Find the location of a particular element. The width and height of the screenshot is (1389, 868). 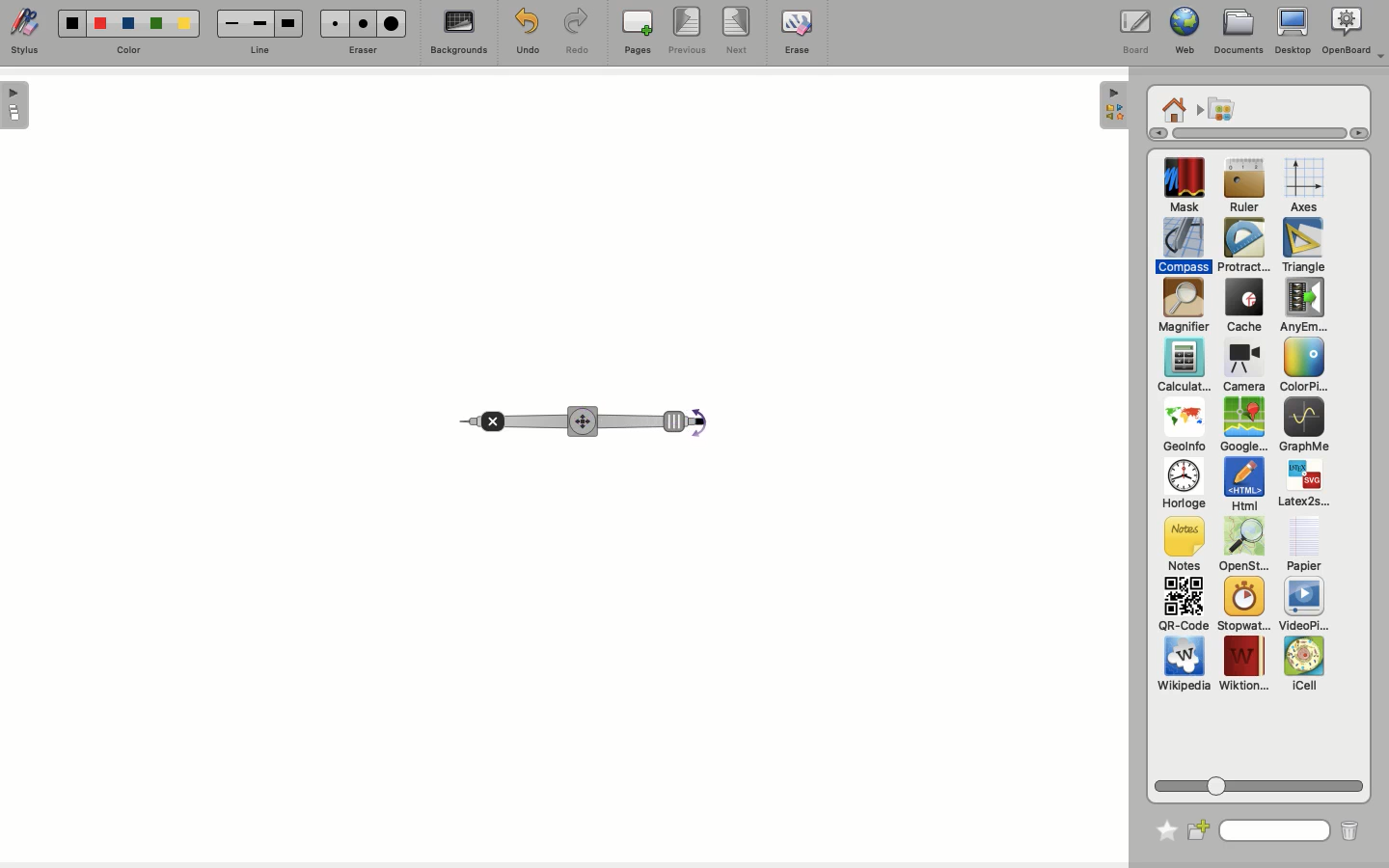

Redo is located at coordinates (578, 33).